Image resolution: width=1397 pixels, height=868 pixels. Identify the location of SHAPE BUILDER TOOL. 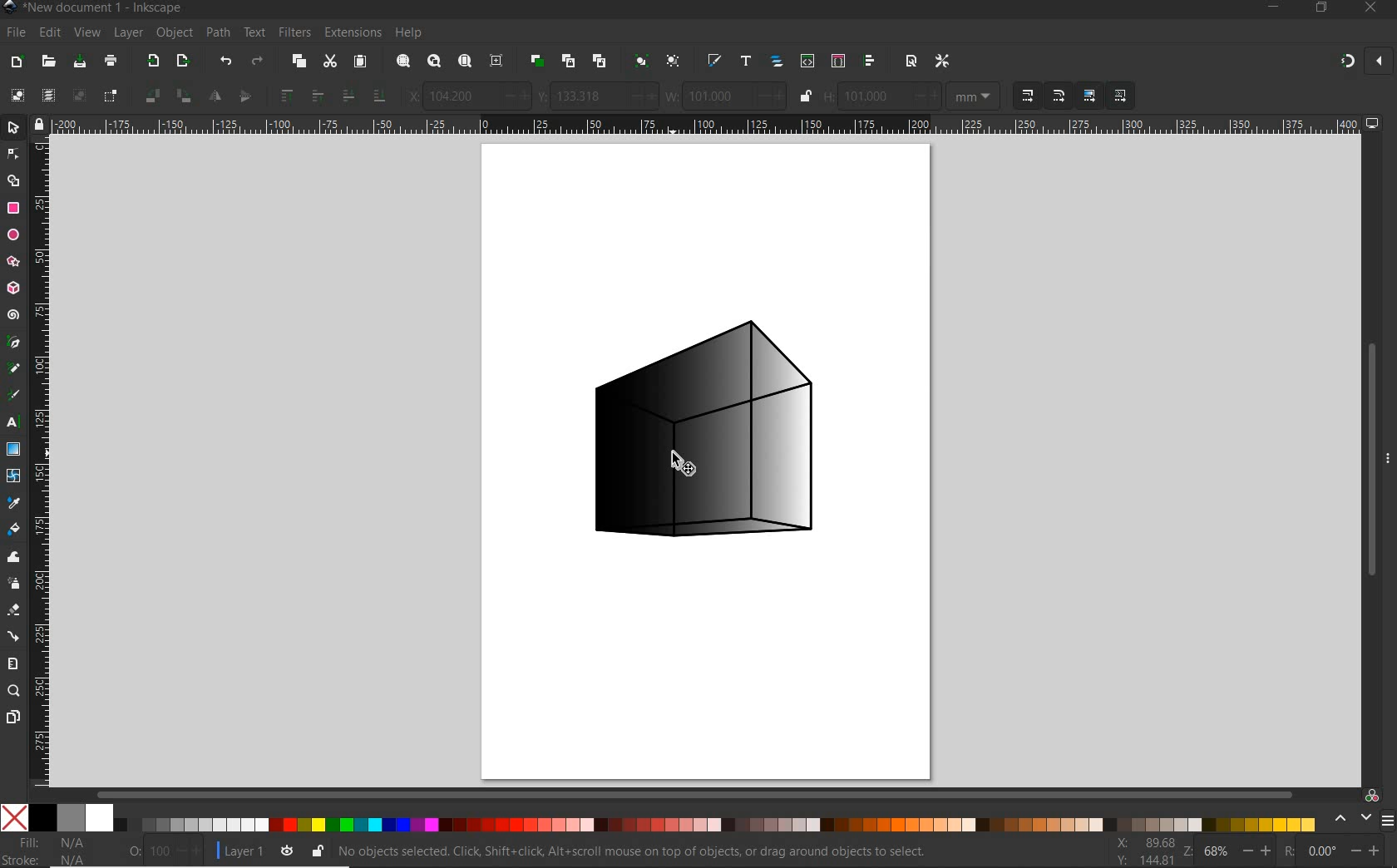
(13, 180).